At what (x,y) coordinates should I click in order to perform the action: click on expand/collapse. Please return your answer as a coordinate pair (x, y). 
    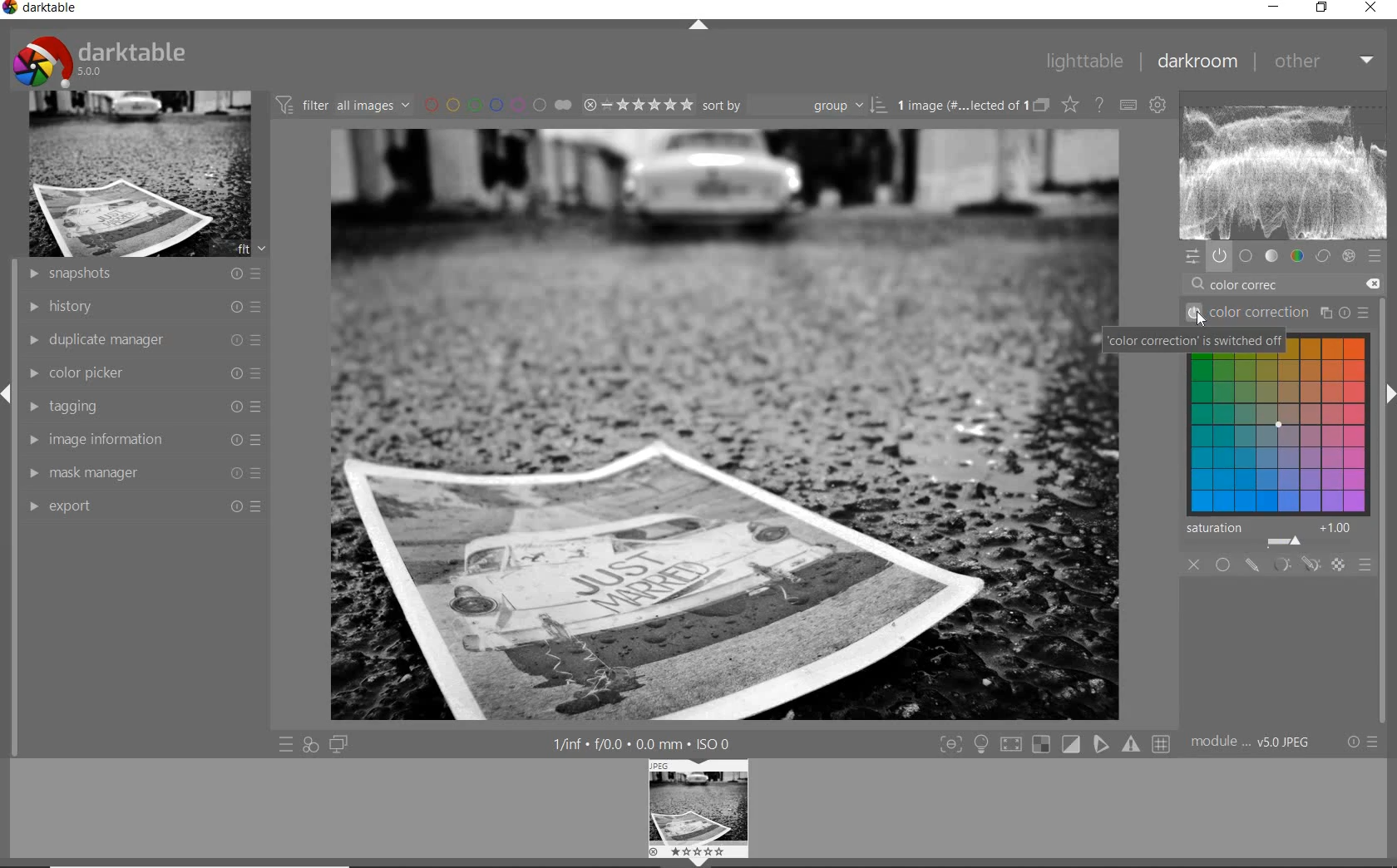
    Looking at the image, I should click on (8, 395).